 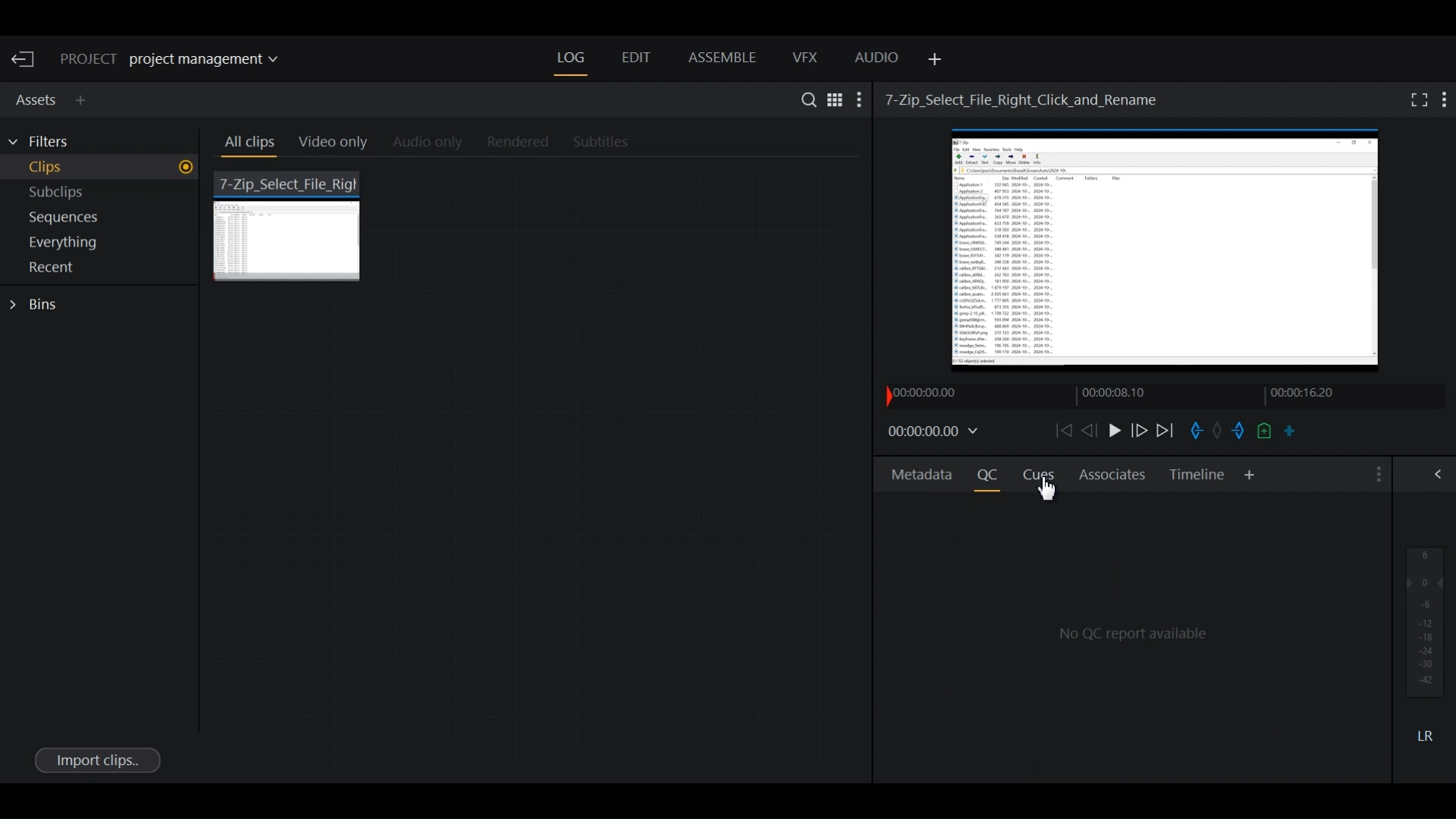 I want to click on Exit Current Project, so click(x=26, y=60).